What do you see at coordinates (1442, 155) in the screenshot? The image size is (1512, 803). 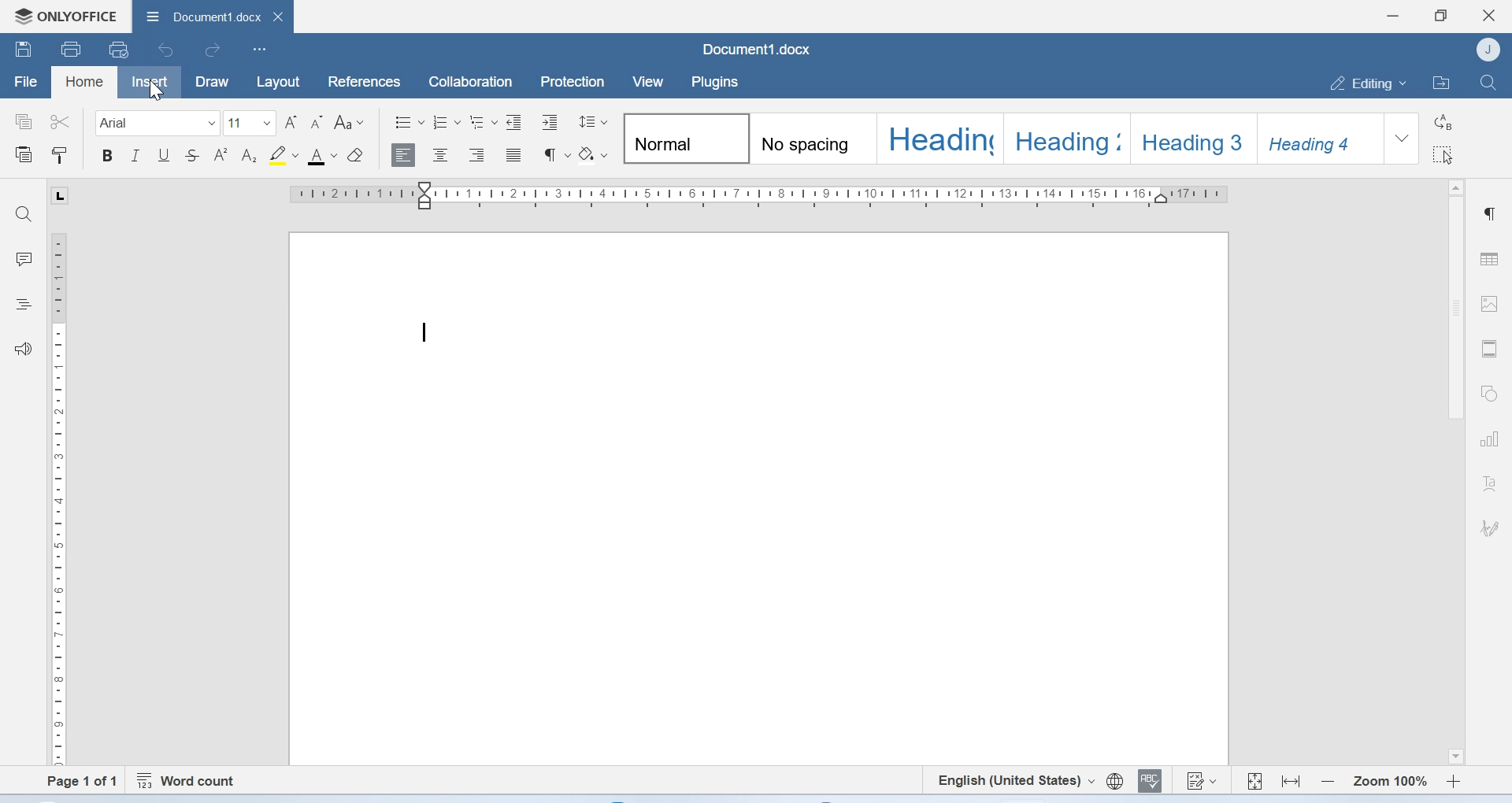 I see `Select all` at bounding box center [1442, 155].